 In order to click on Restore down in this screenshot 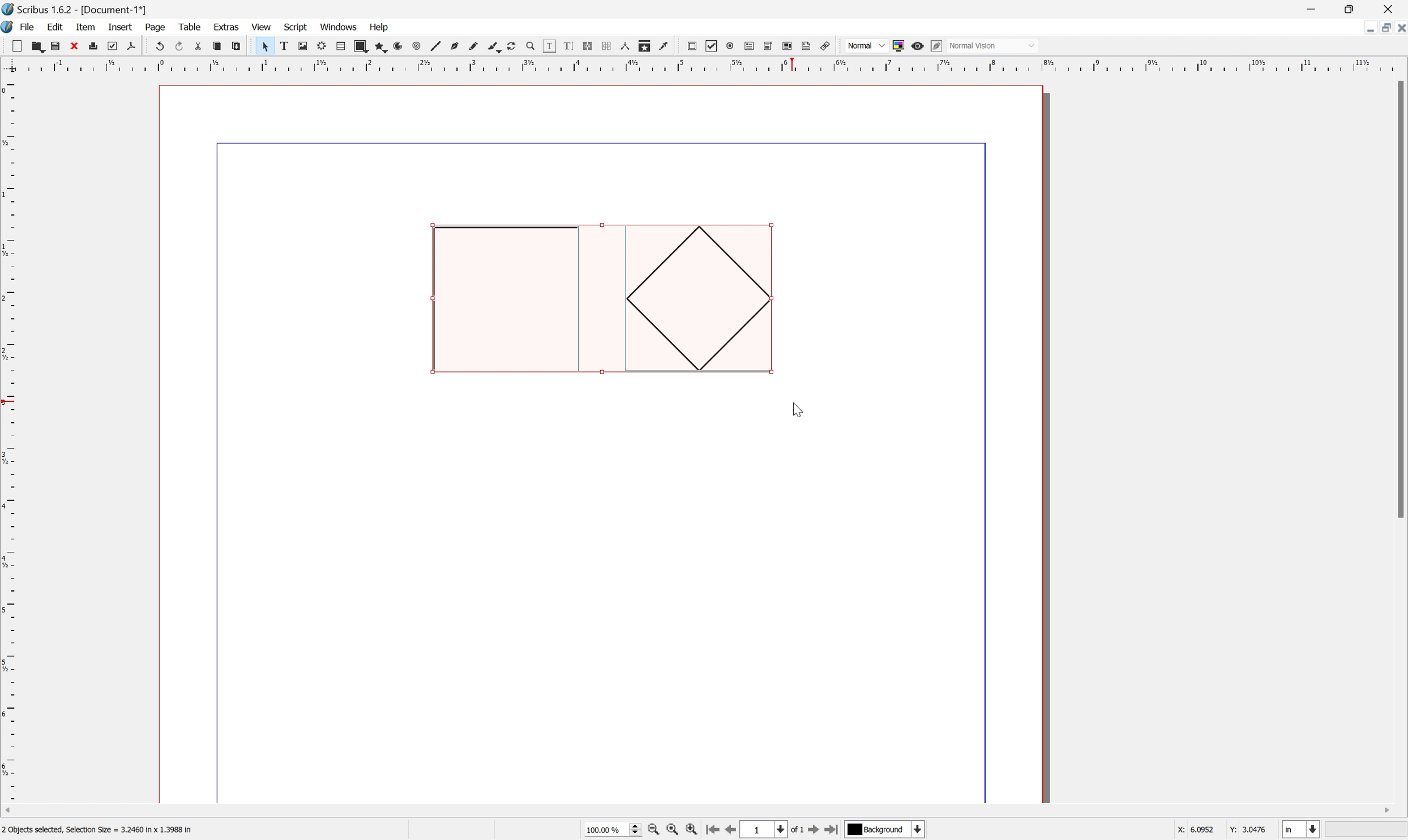, I will do `click(1384, 28)`.